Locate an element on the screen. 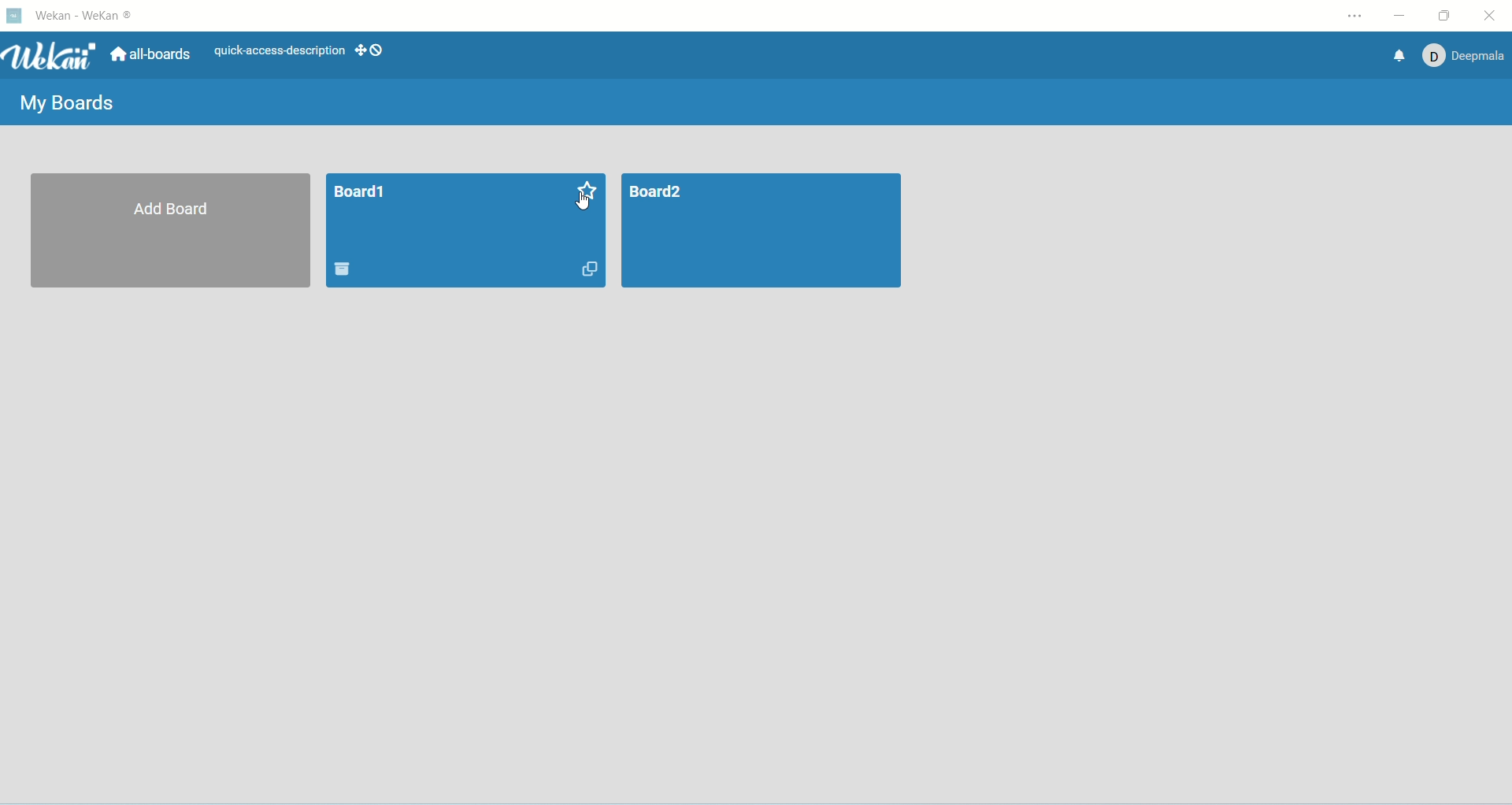  all boards is located at coordinates (151, 54).